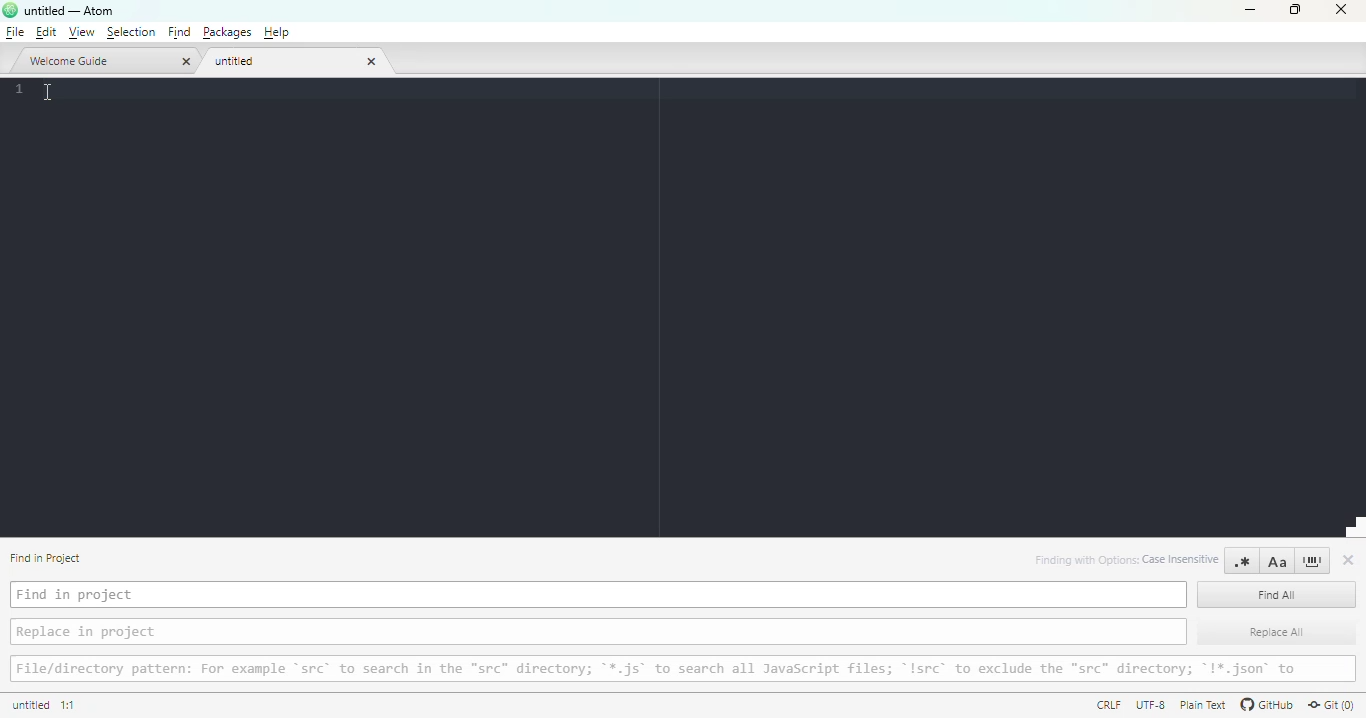 The image size is (1366, 718). Describe the element at coordinates (1333, 705) in the screenshot. I see `git(0)` at that location.